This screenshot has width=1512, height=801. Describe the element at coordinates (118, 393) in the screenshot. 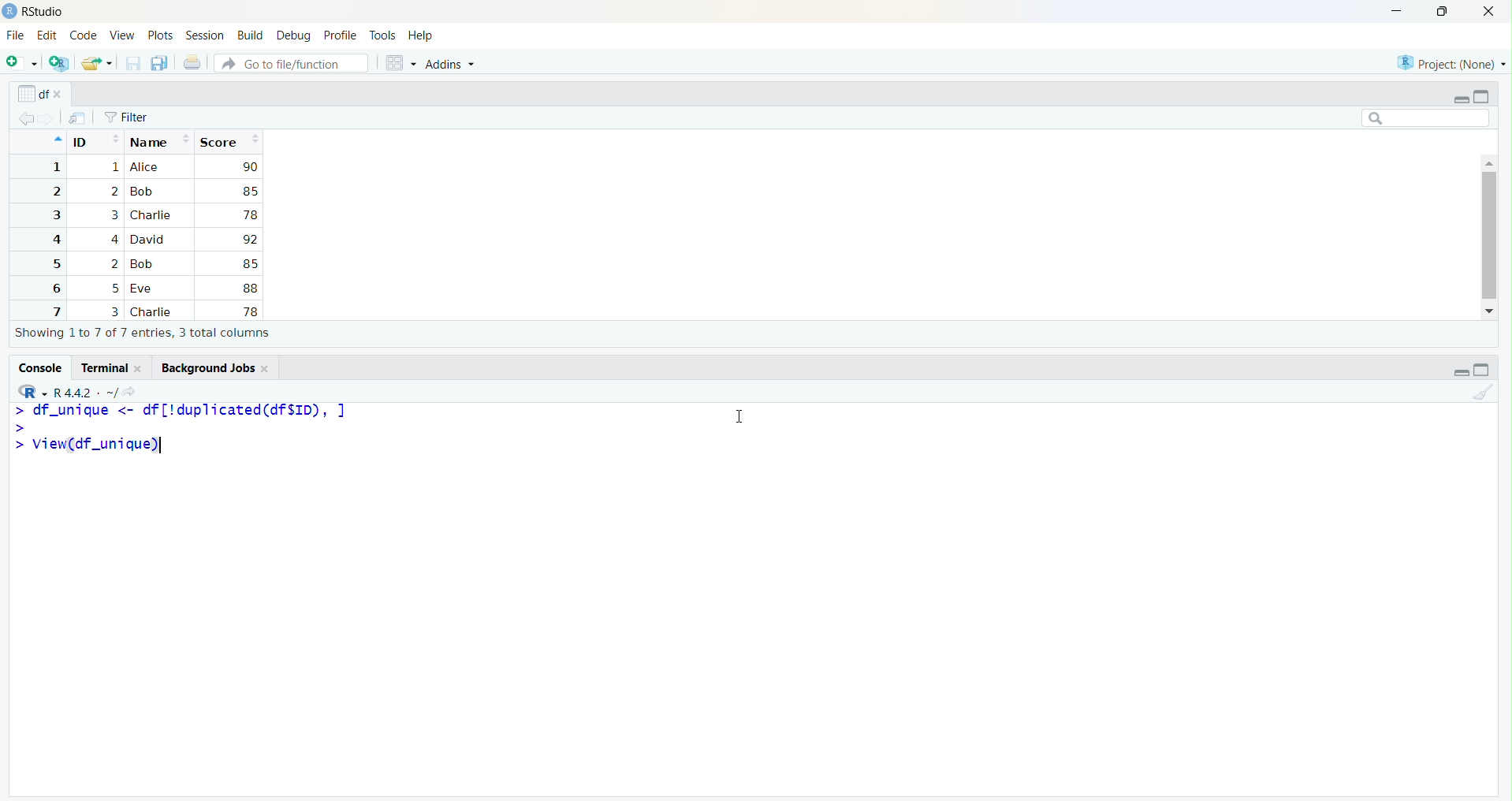

I see `. ~/>` at that location.